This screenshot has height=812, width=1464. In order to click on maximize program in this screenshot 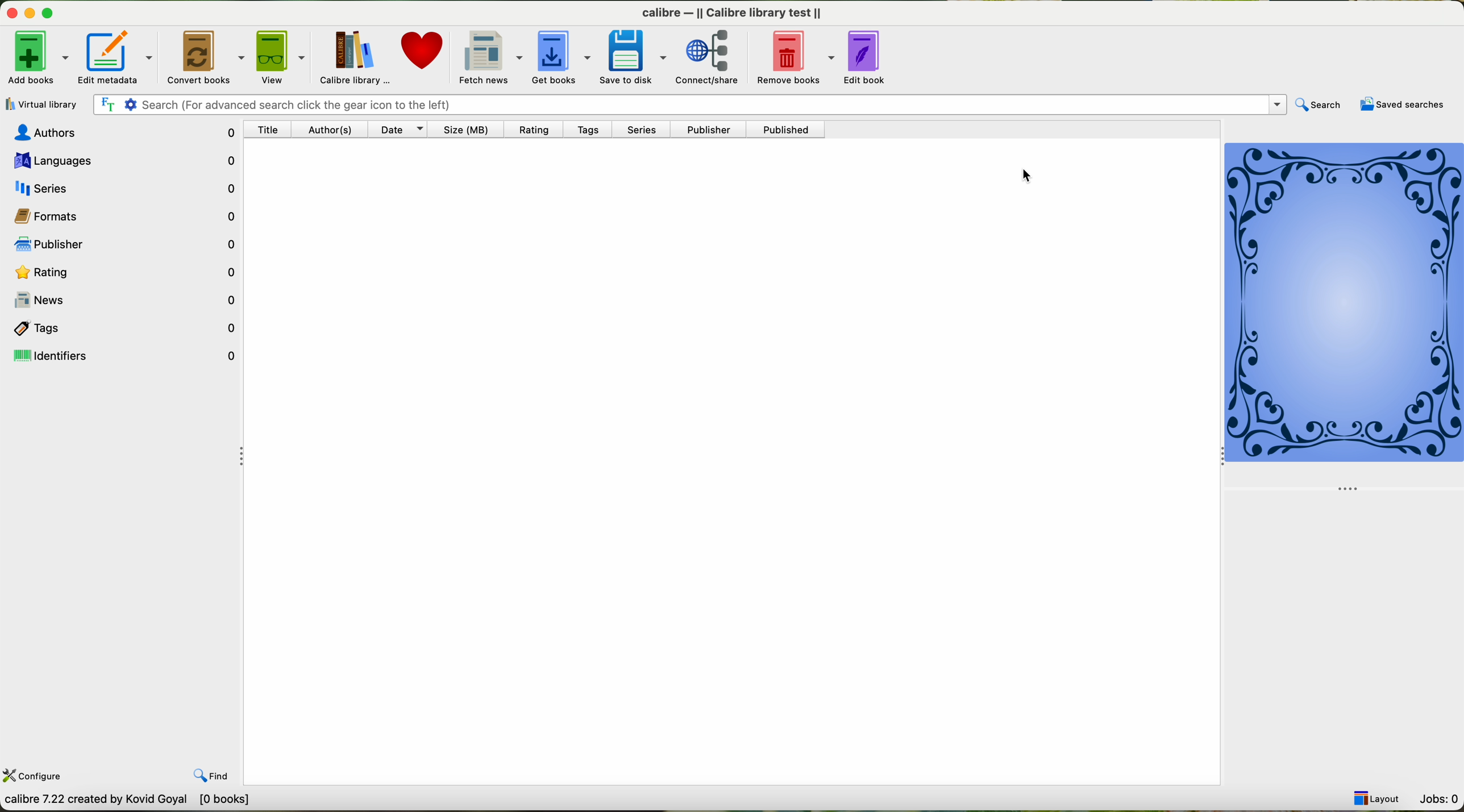, I will do `click(55, 14)`.